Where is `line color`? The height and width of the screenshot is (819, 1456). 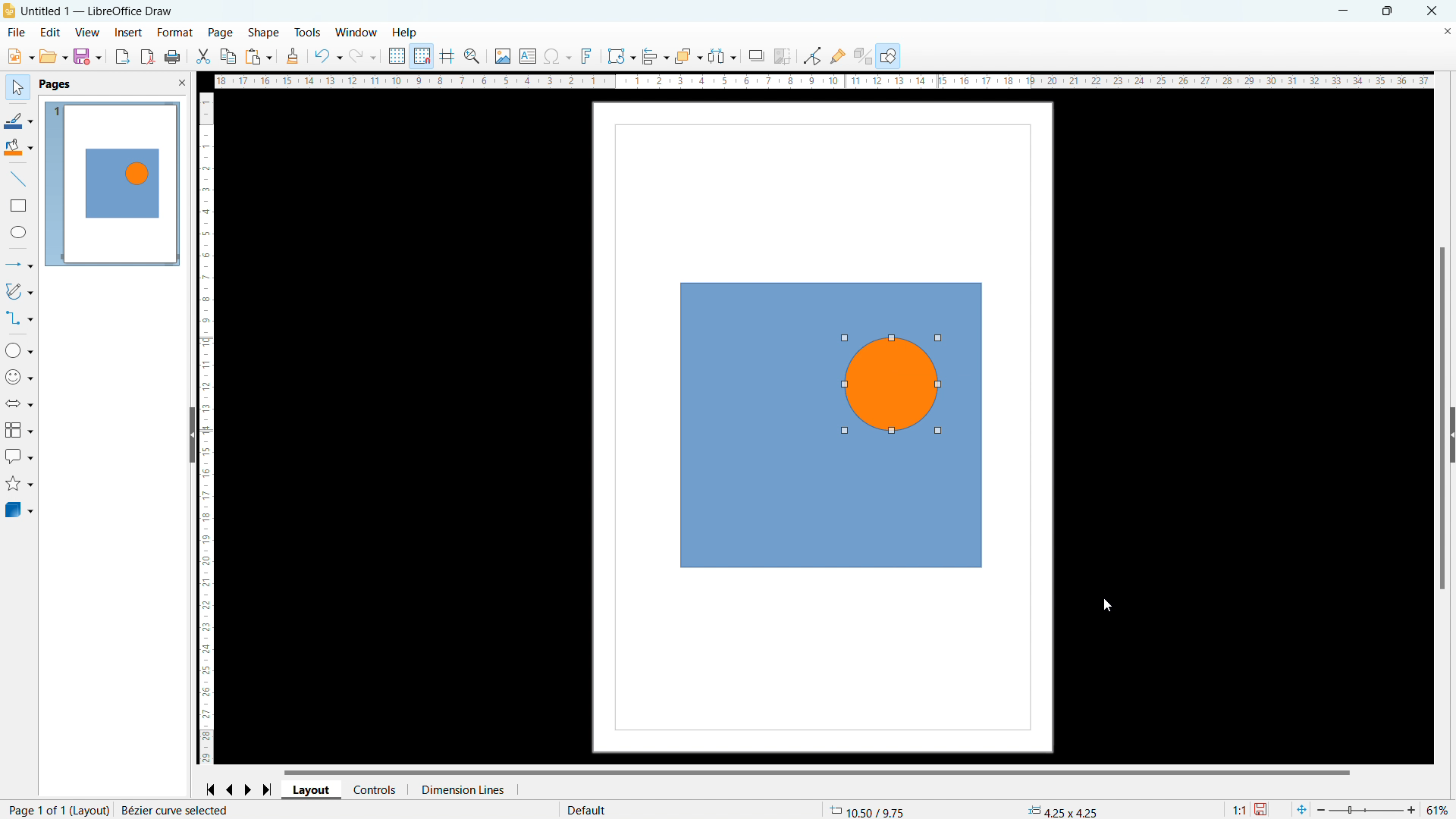
line color is located at coordinates (19, 121).